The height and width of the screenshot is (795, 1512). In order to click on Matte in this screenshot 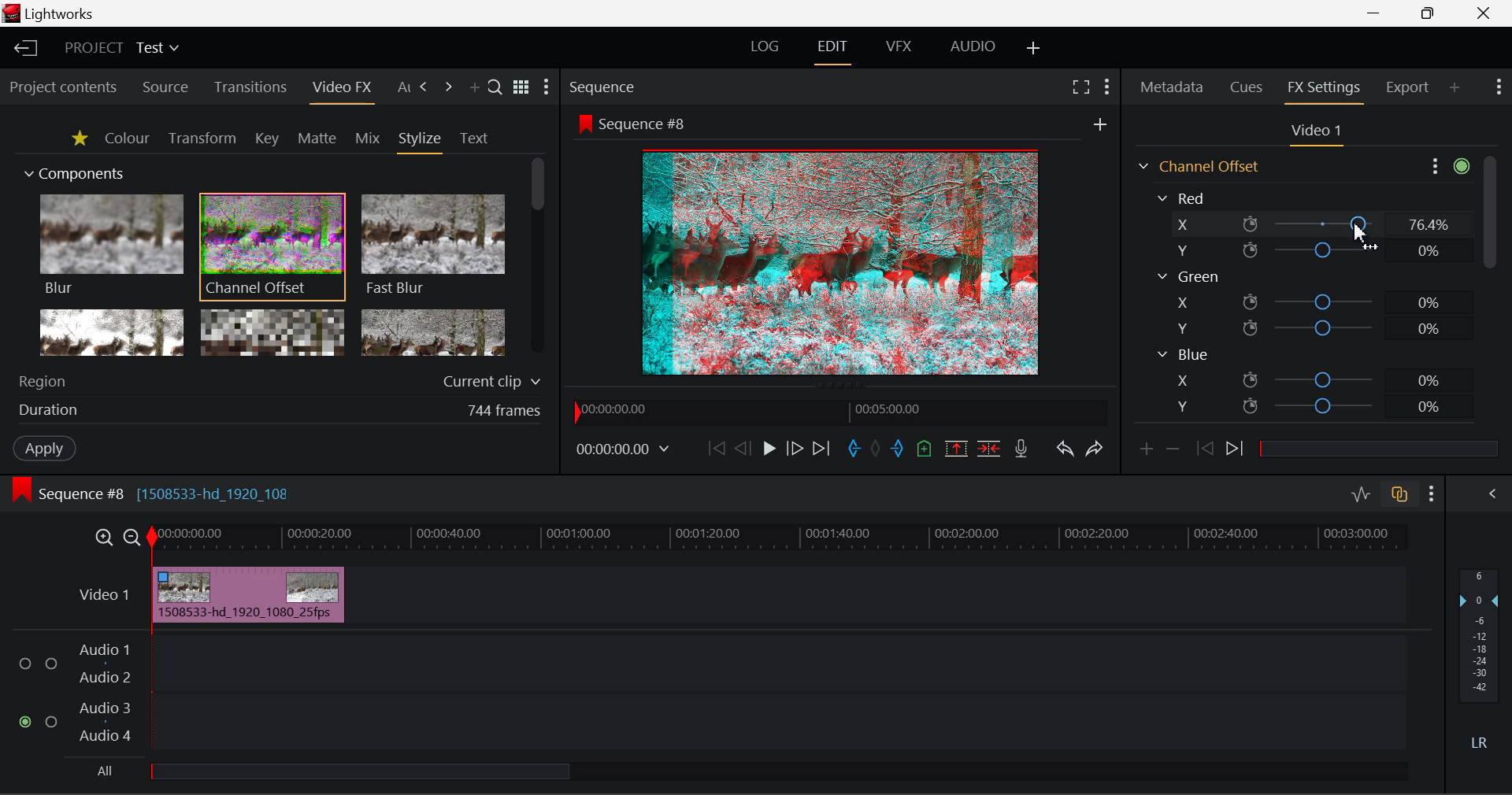, I will do `click(317, 139)`.